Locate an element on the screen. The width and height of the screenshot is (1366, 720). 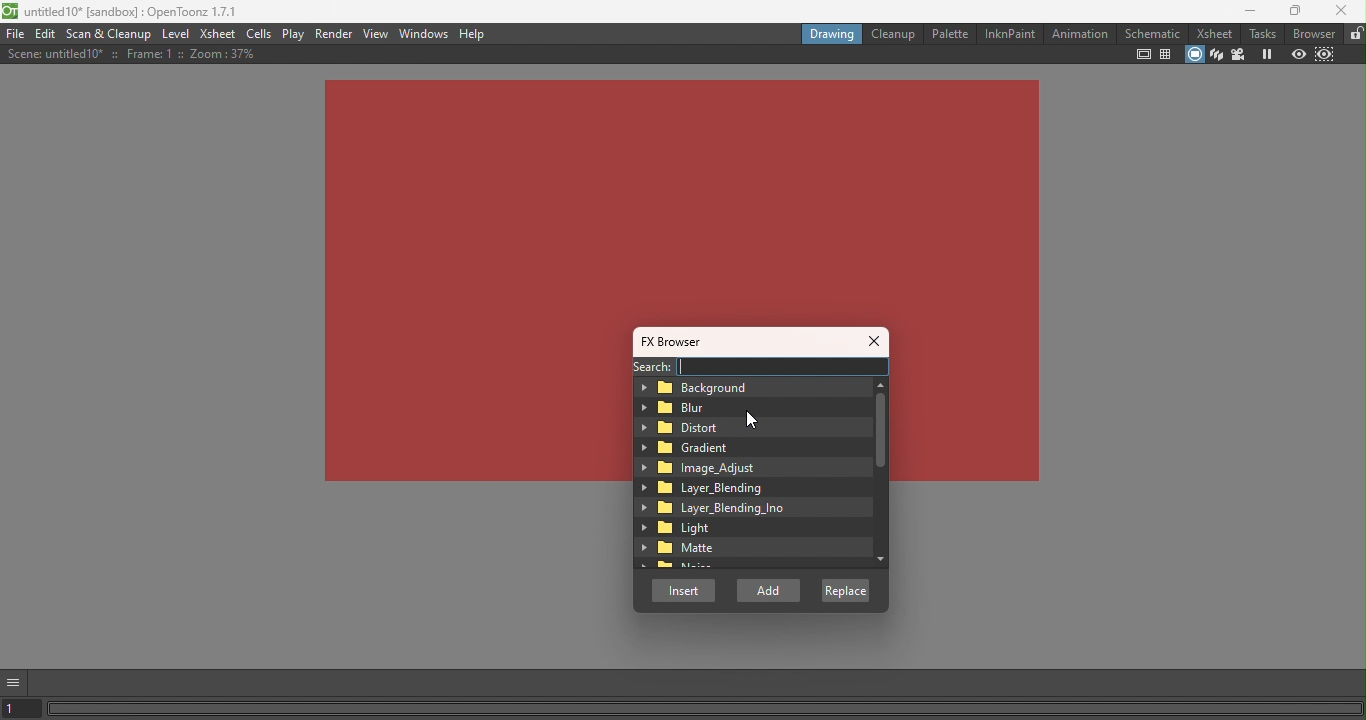
Image_adjust is located at coordinates (705, 468).